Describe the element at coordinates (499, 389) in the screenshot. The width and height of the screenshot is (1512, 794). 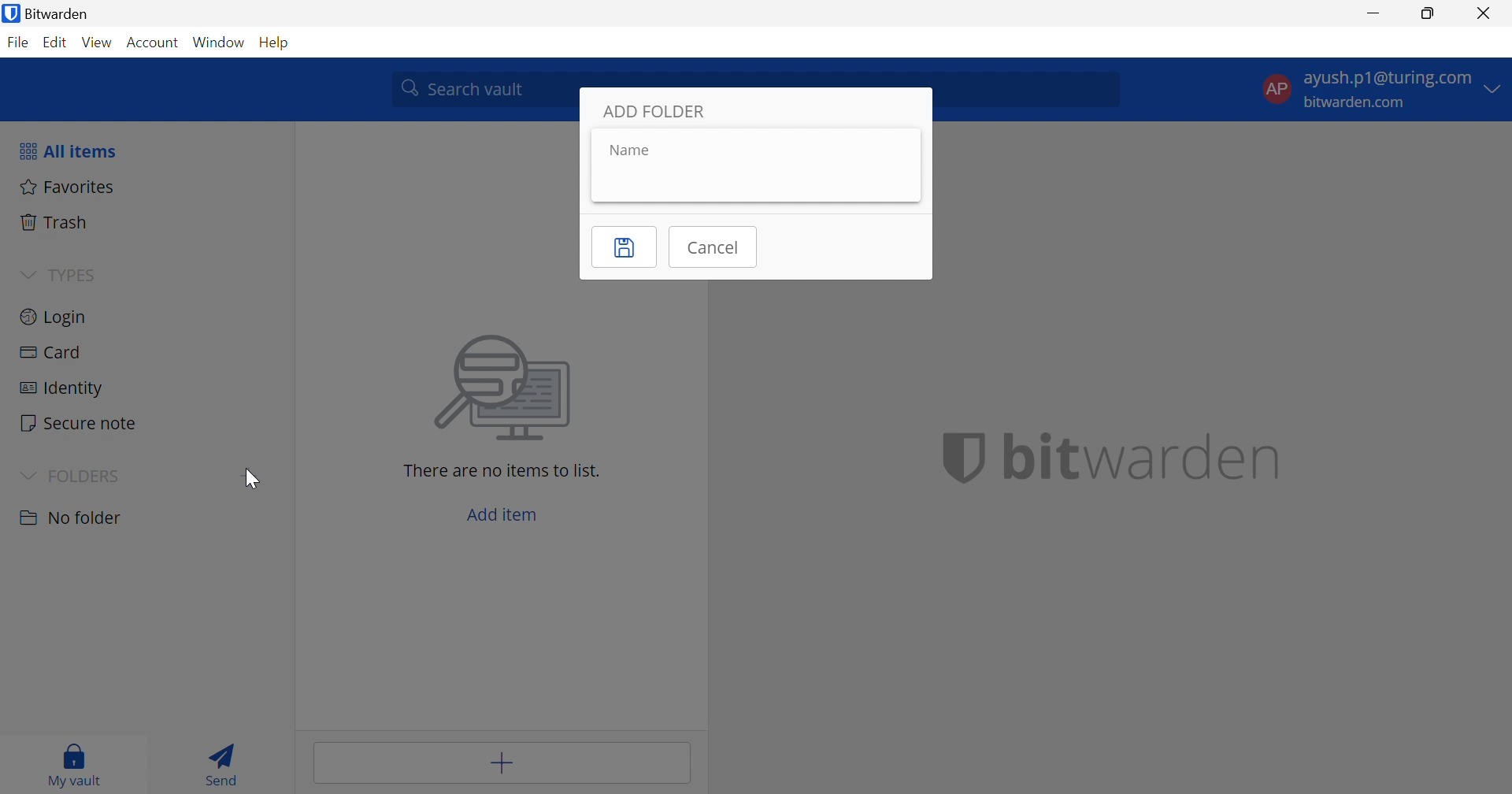
I see `image` at that location.